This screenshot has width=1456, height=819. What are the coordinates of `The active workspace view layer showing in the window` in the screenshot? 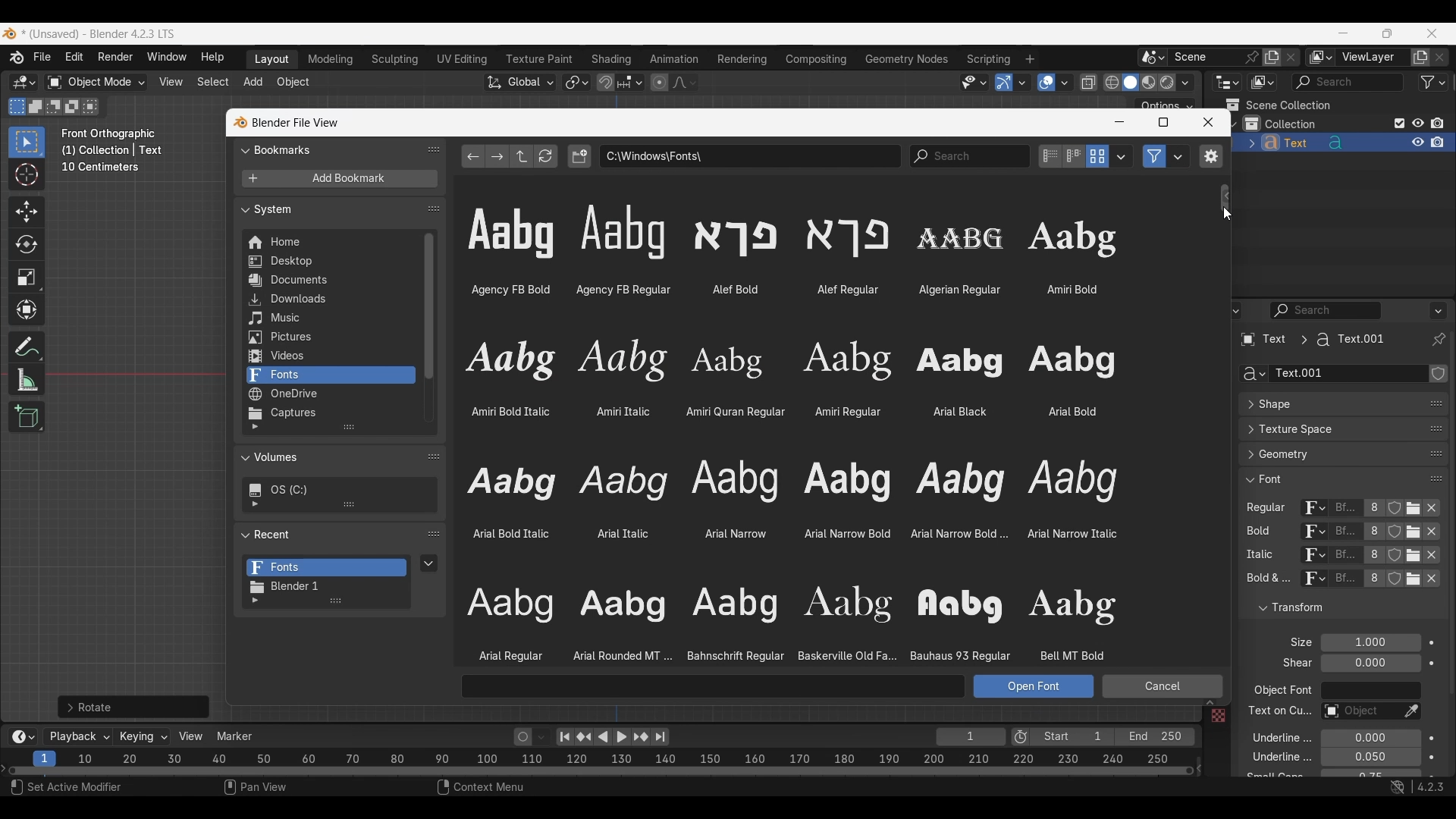 It's located at (1321, 57).